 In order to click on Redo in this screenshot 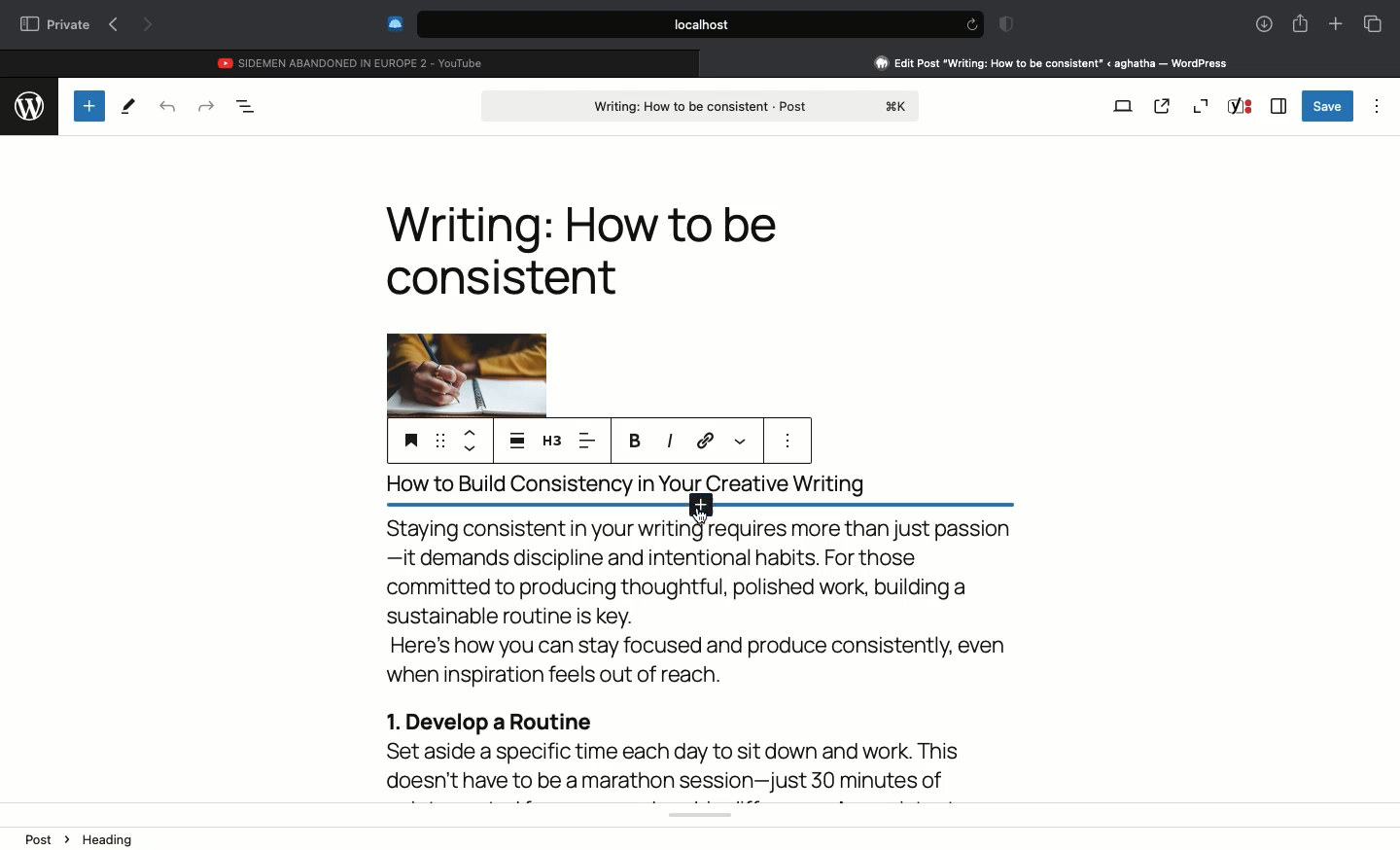, I will do `click(206, 106)`.